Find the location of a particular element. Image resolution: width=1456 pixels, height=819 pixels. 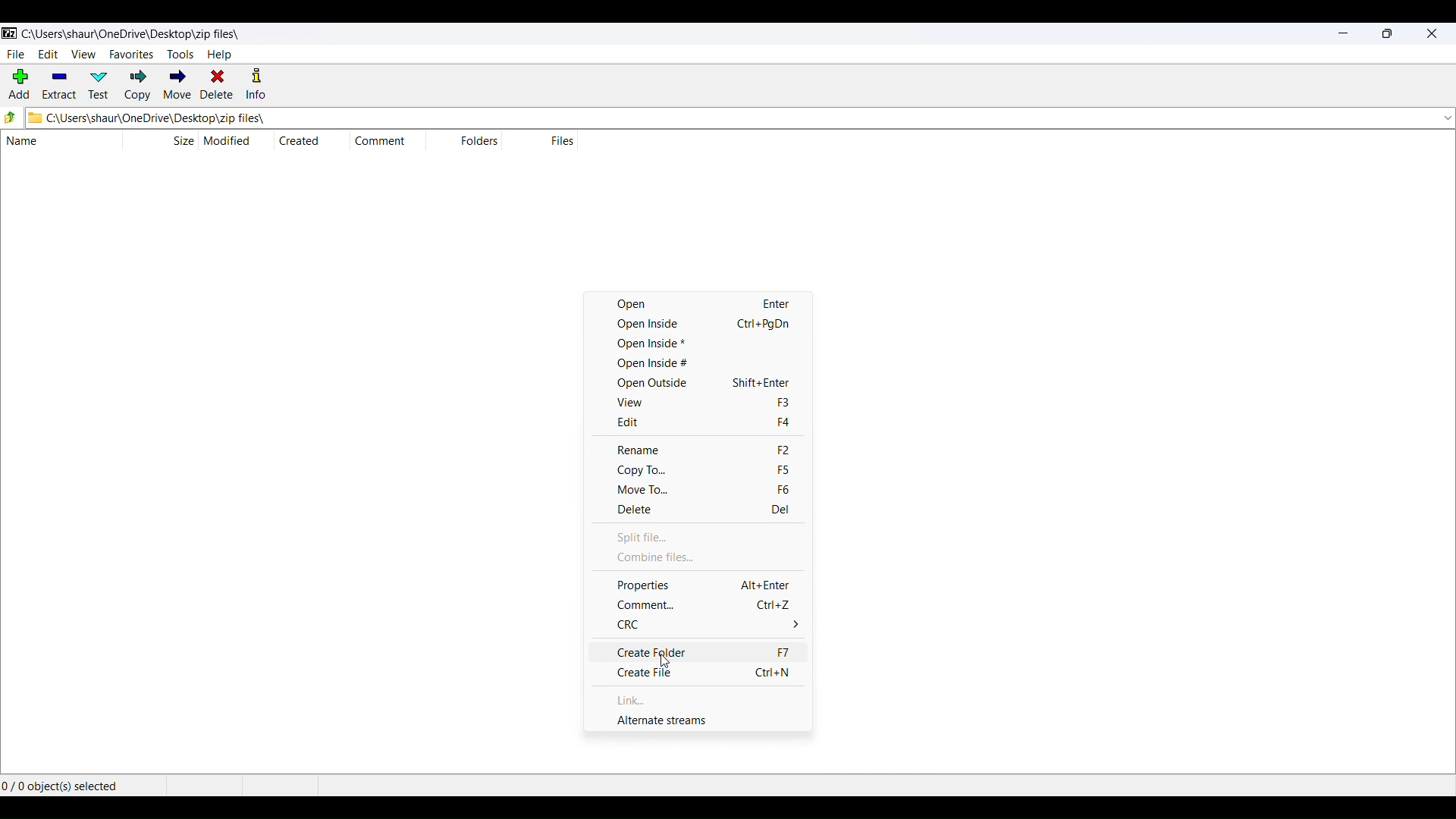

SIZE is located at coordinates (183, 140).